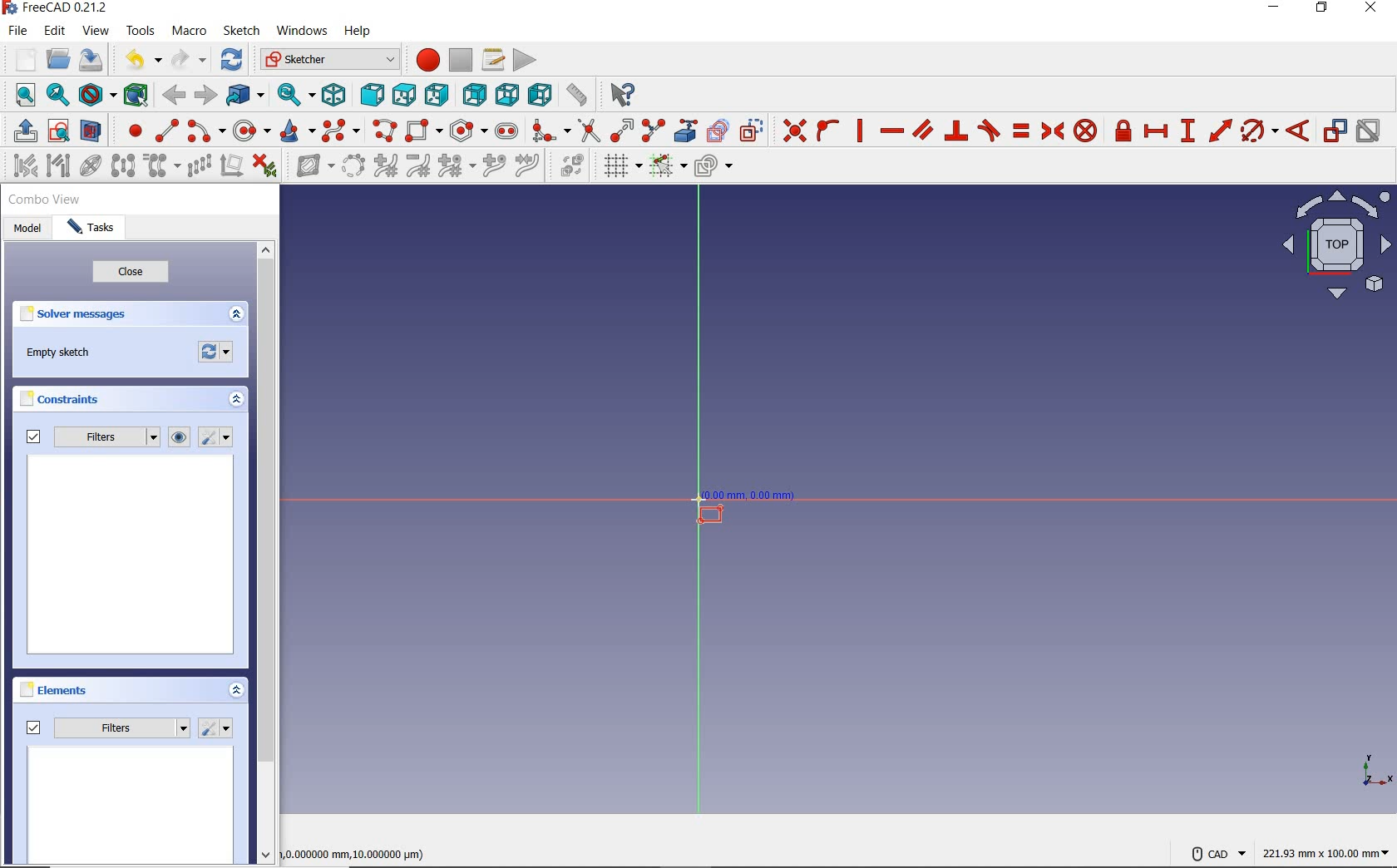  What do you see at coordinates (622, 131) in the screenshot?
I see `extend edge` at bounding box center [622, 131].